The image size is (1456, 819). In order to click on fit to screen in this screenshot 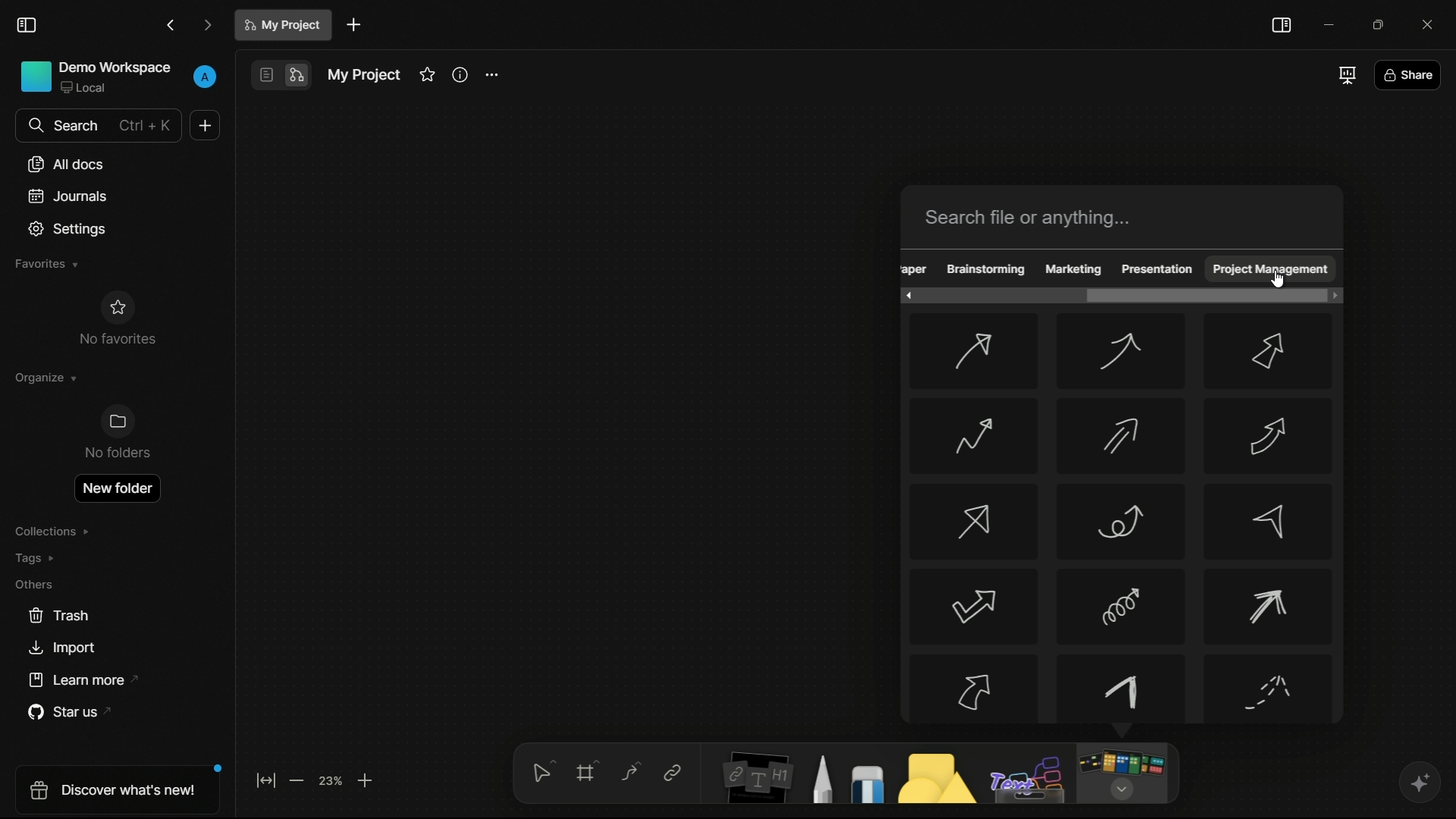, I will do `click(265, 780)`.